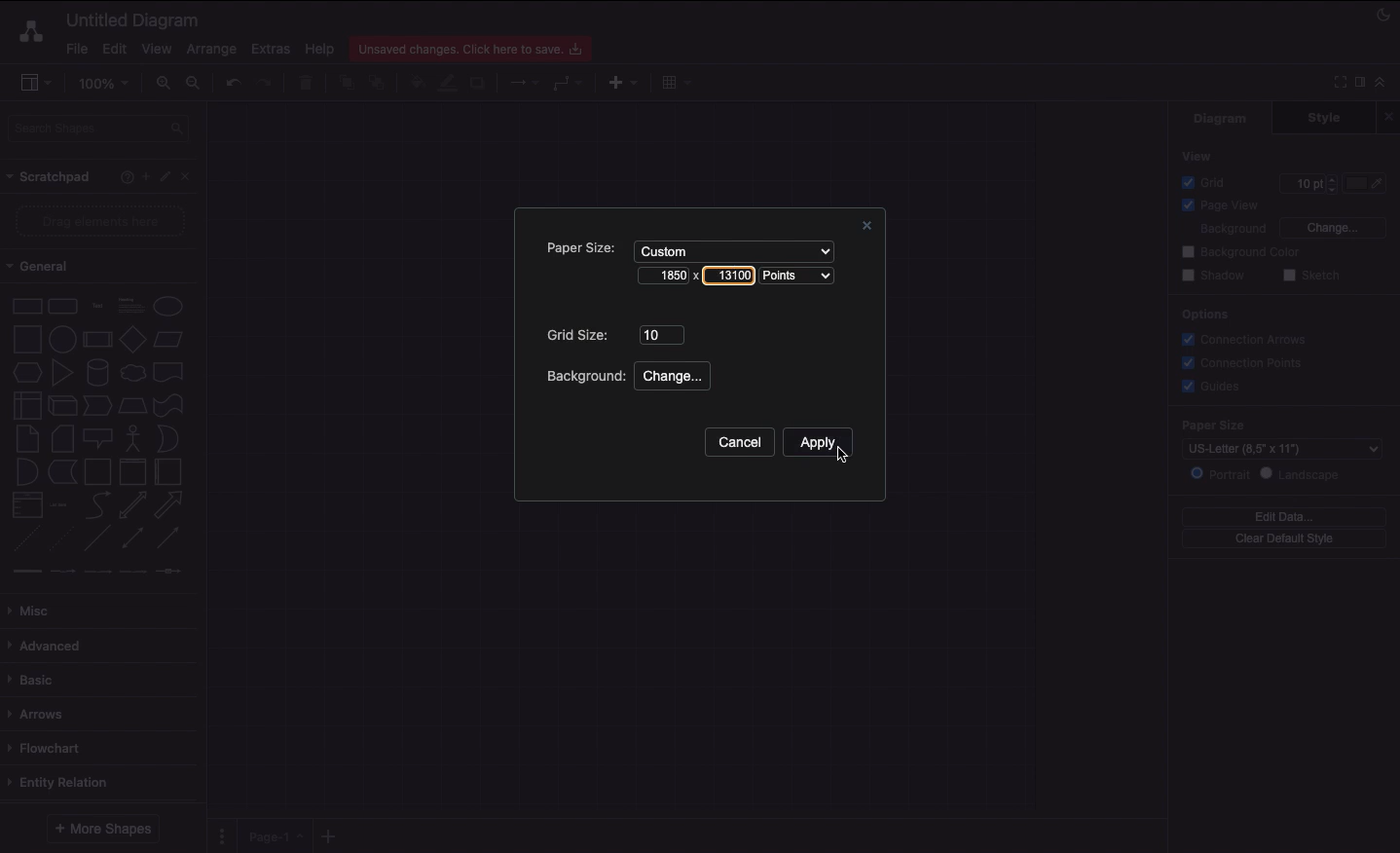  I want to click on Pages, so click(218, 836).